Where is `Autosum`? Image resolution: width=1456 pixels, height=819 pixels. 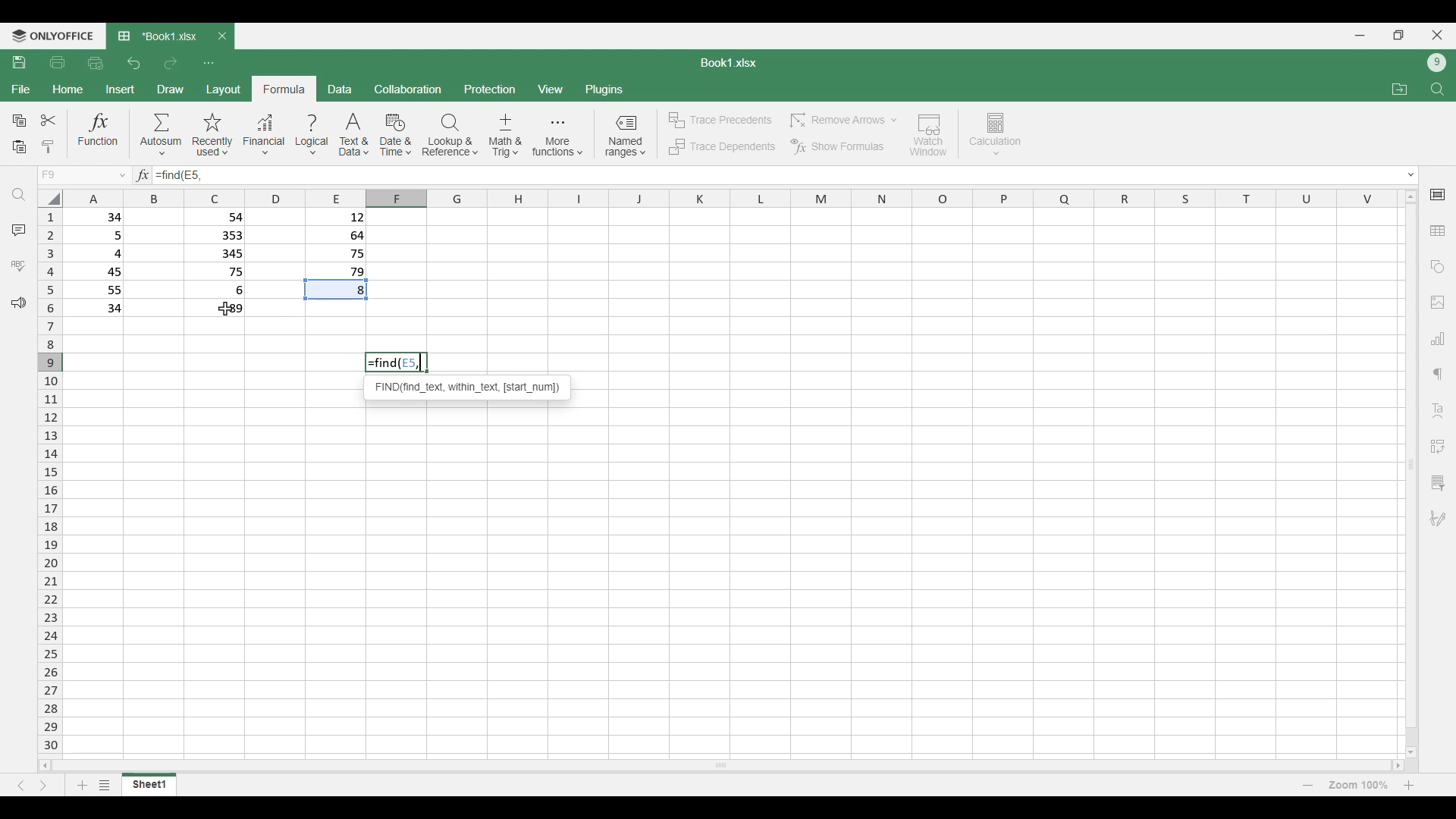
Autosum is located at coordinates (162, 133).